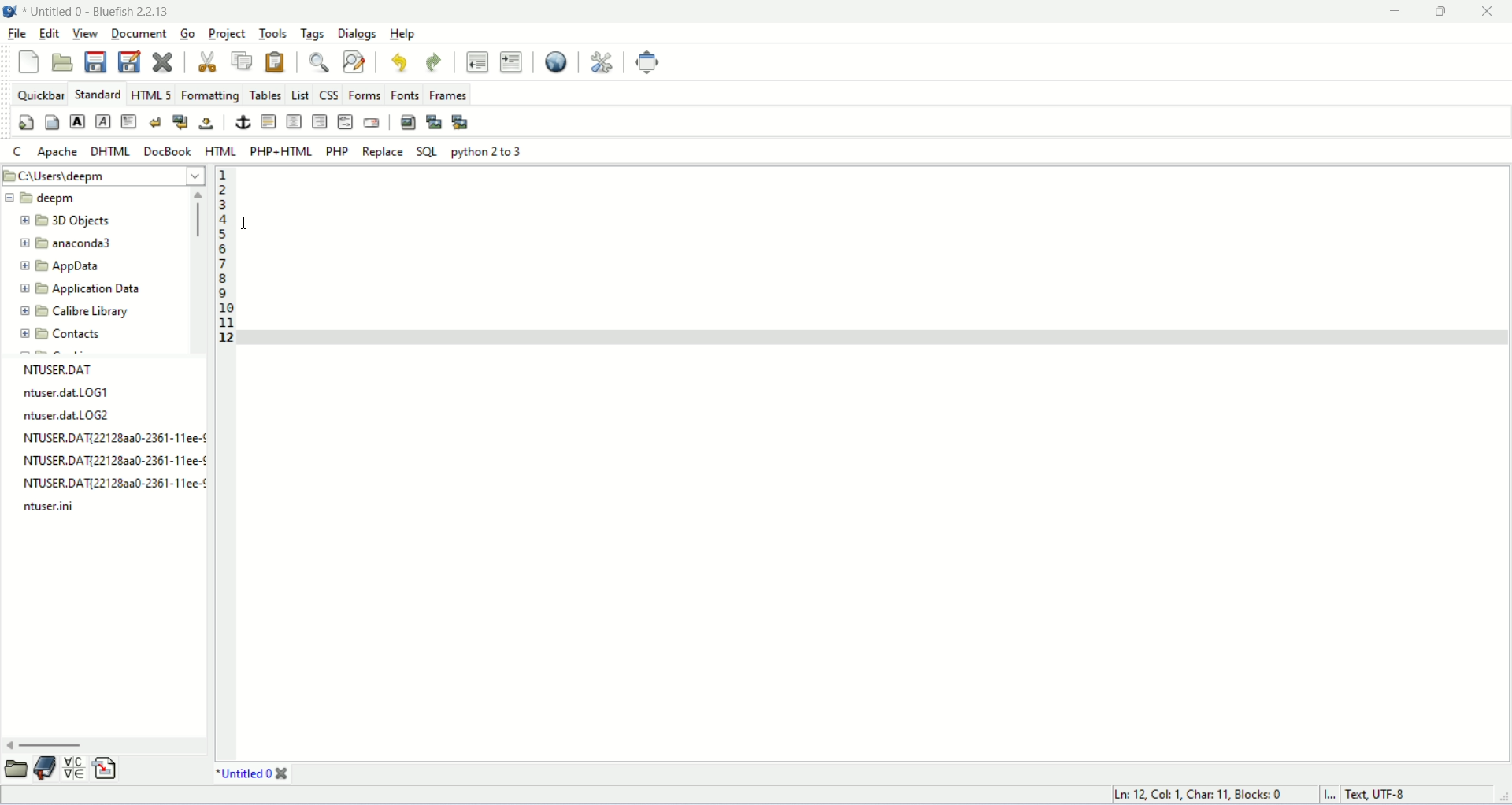 The height and width of the screenshot is (805, 1512). Describe the element at coordinates (512, 63) in the screenshot. I see `indent` at that location.